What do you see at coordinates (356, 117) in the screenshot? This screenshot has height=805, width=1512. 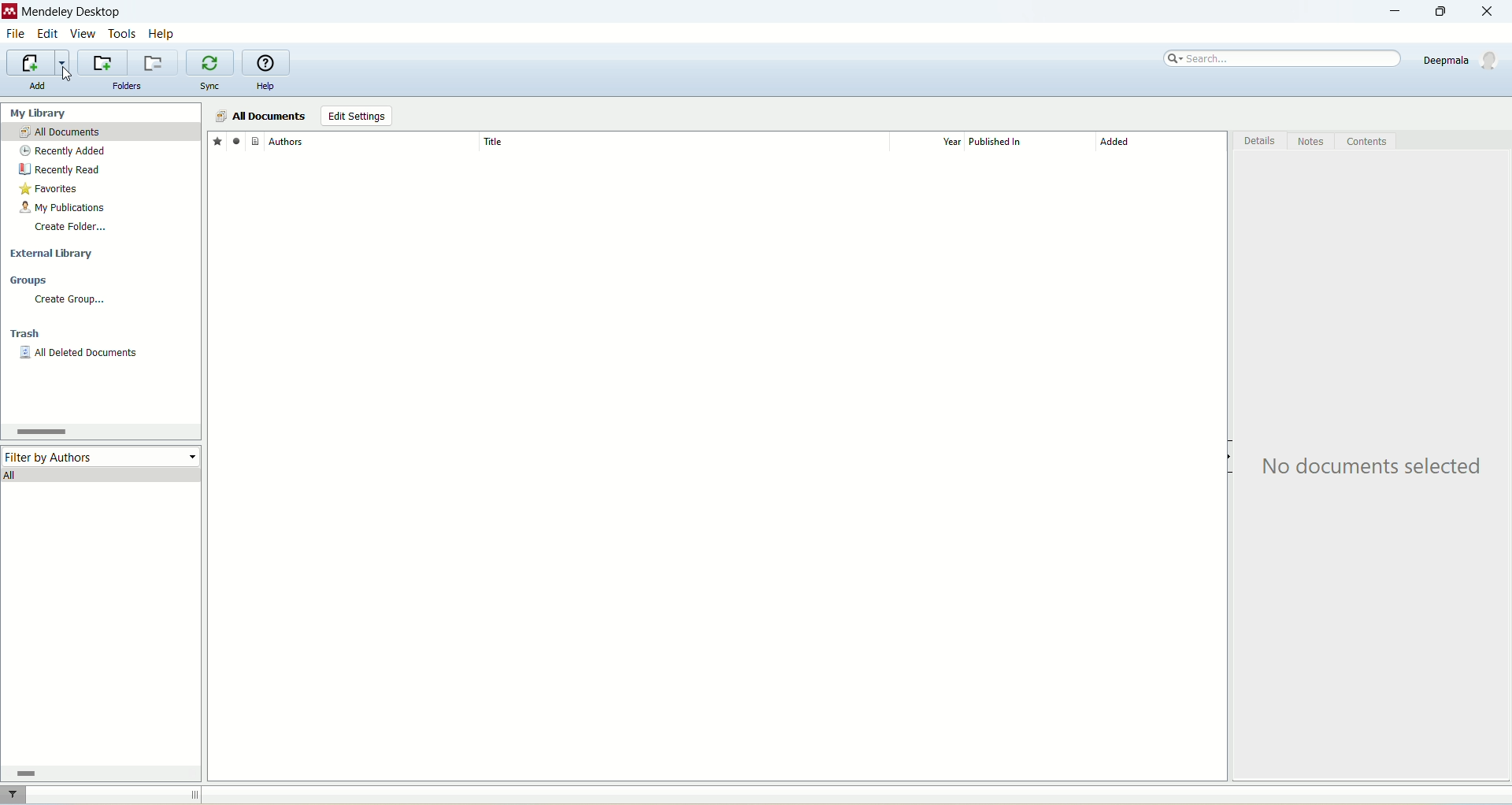 I see `edit settings` at bounding box center [356, 117].